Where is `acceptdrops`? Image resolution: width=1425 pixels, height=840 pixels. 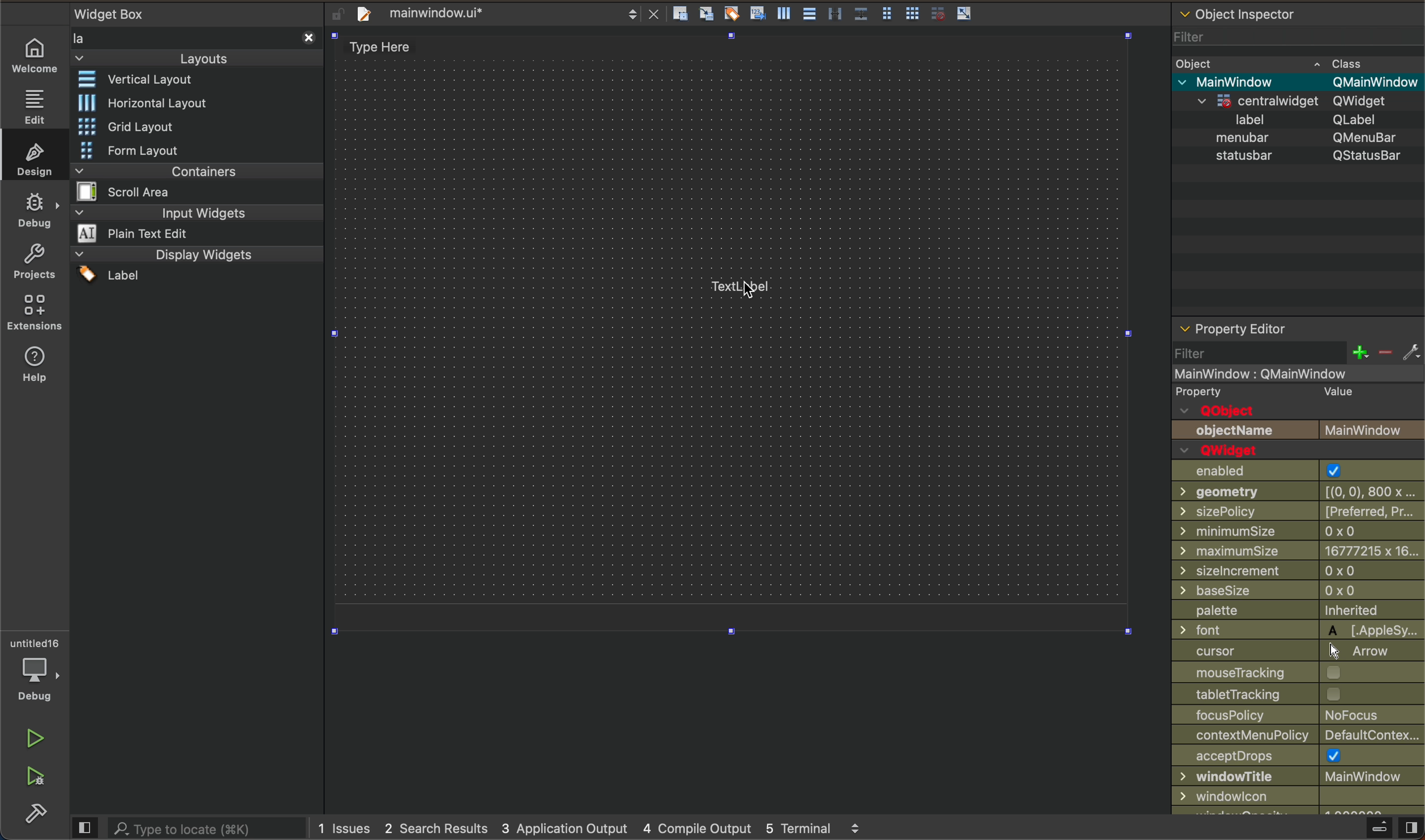 acceptdrops is located at coordinates (1298, 757).